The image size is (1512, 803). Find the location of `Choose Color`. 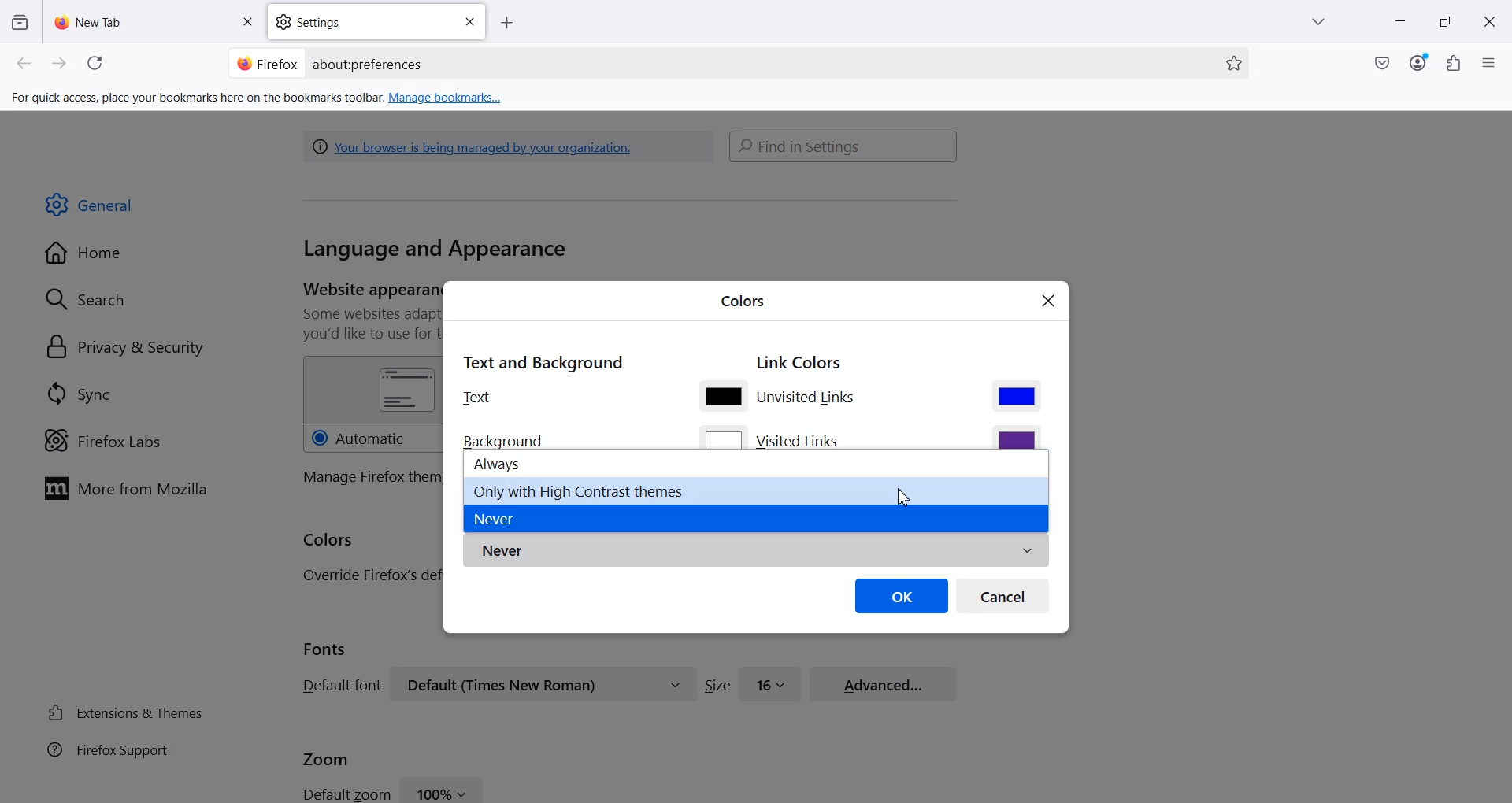

Choose Color is located at coordinates (722, 395).